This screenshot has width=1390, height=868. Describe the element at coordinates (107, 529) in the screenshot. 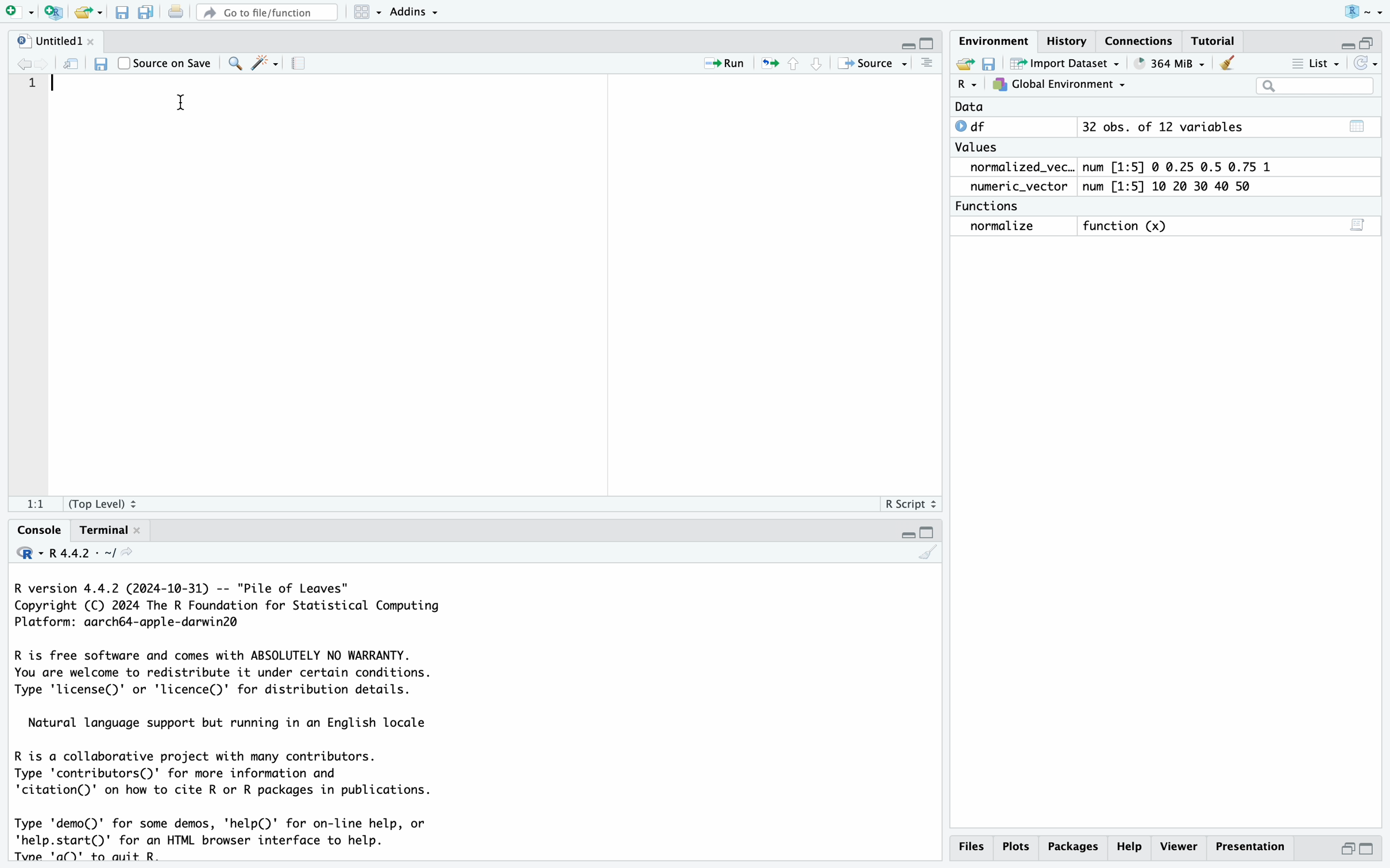

I see `Terminal` at that location.